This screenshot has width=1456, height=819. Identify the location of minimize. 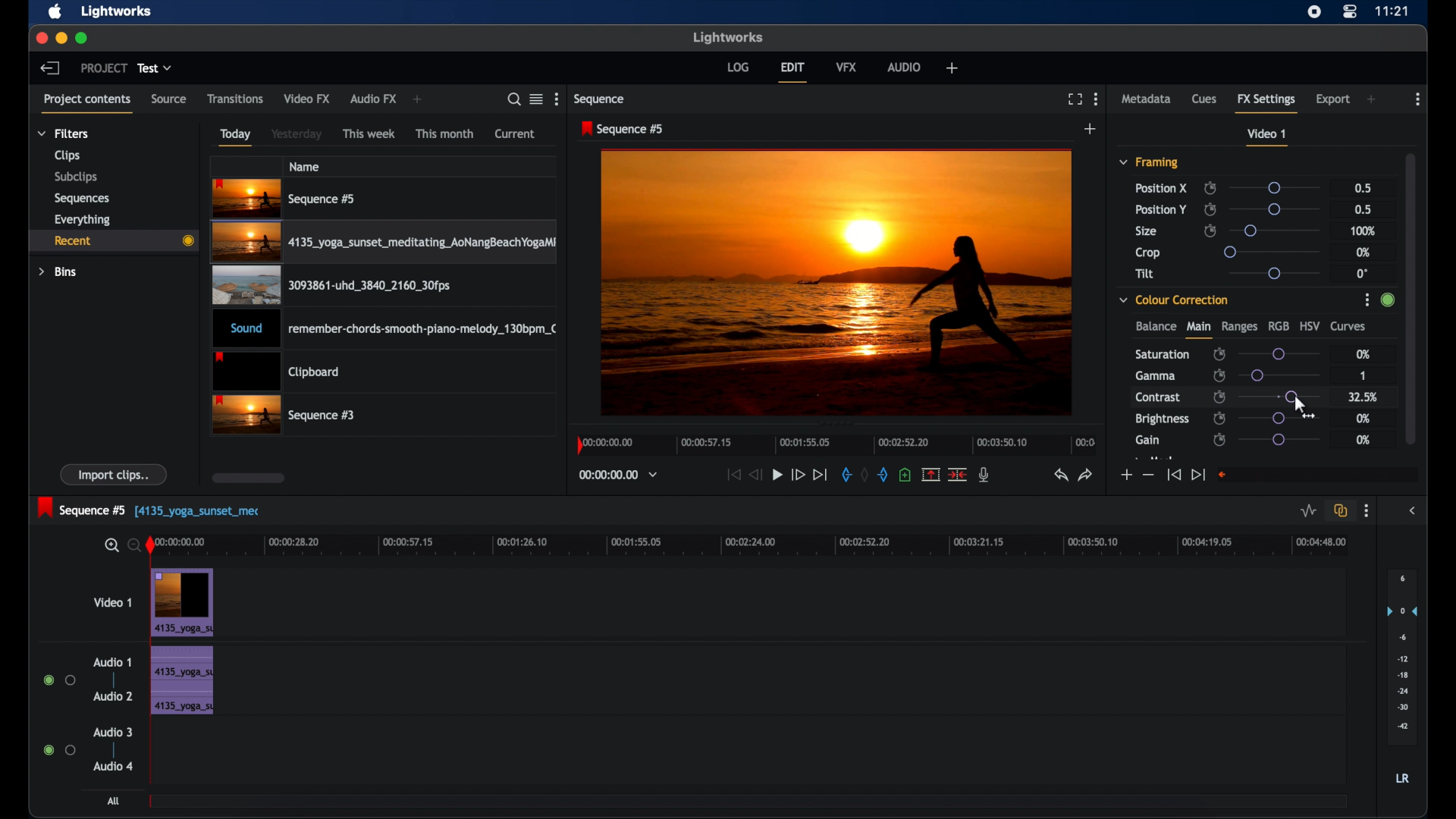
(63, 38).